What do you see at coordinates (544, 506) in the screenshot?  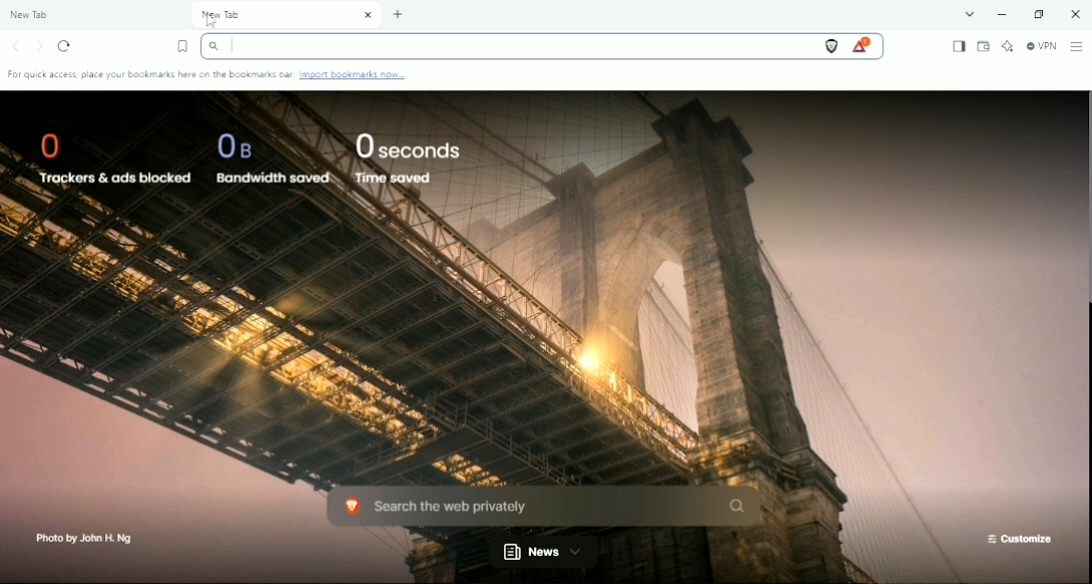 I see `Search the web privately` at bounding box center [544, 506].